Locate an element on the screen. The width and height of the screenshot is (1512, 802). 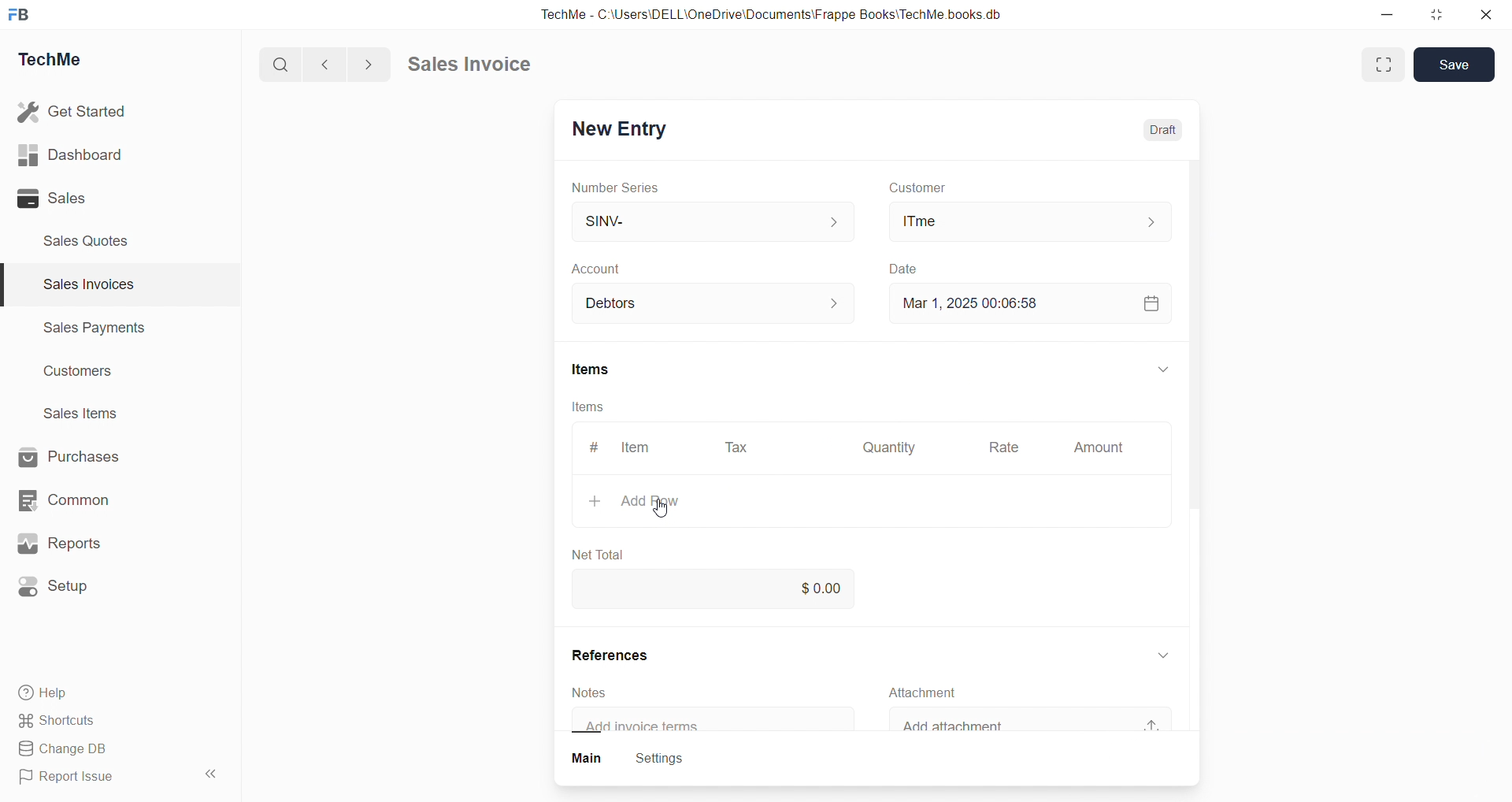
TechMe - C-\Users\DELL\OneDrive\Documents\Frappe Books'TechMe books db is located at coordinates (787, 12).